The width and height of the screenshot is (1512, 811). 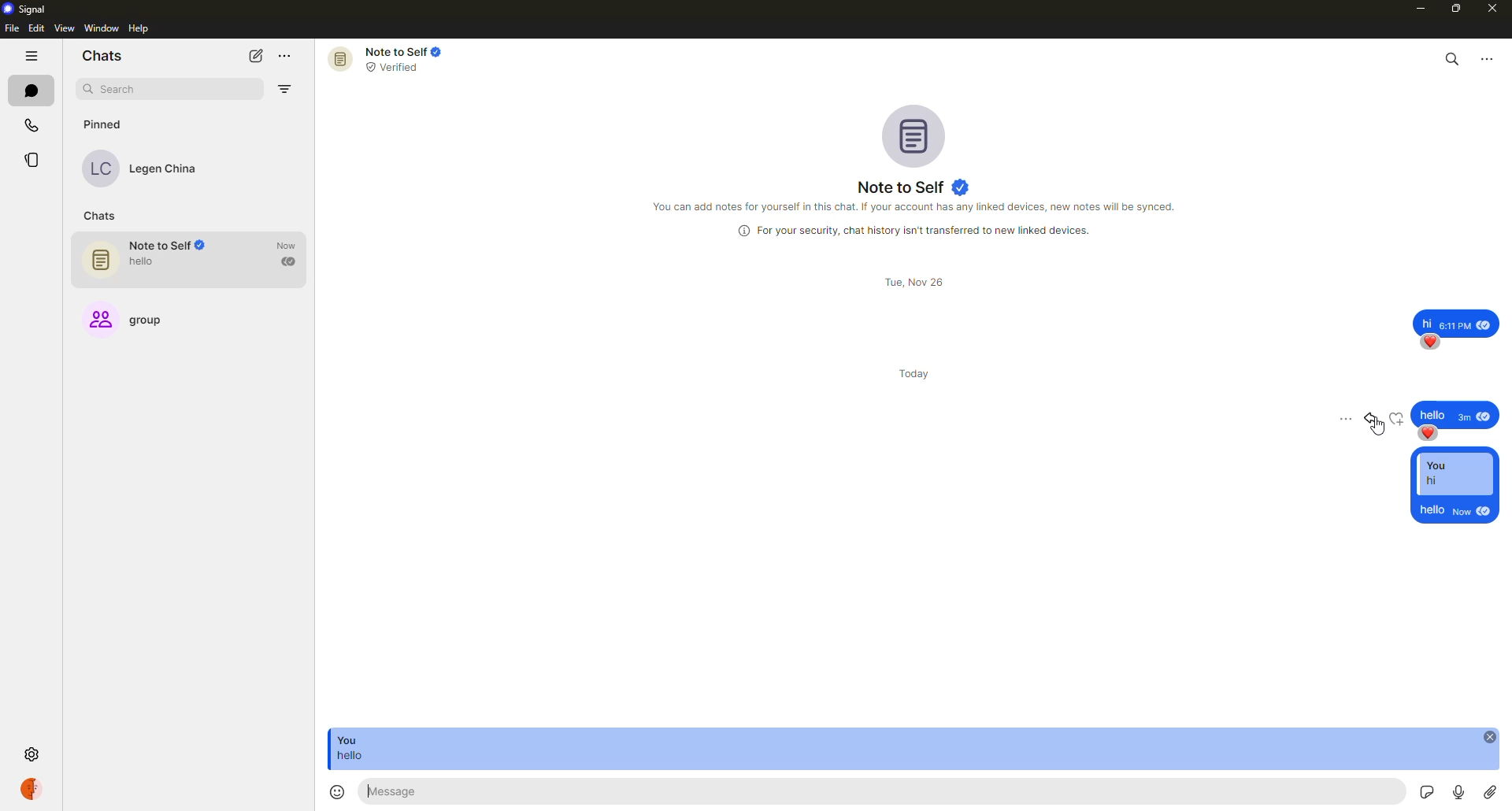 What do you see at coordinates (99, 215) in the screenshot?
I see `chats` at bounding box center [99, 215].